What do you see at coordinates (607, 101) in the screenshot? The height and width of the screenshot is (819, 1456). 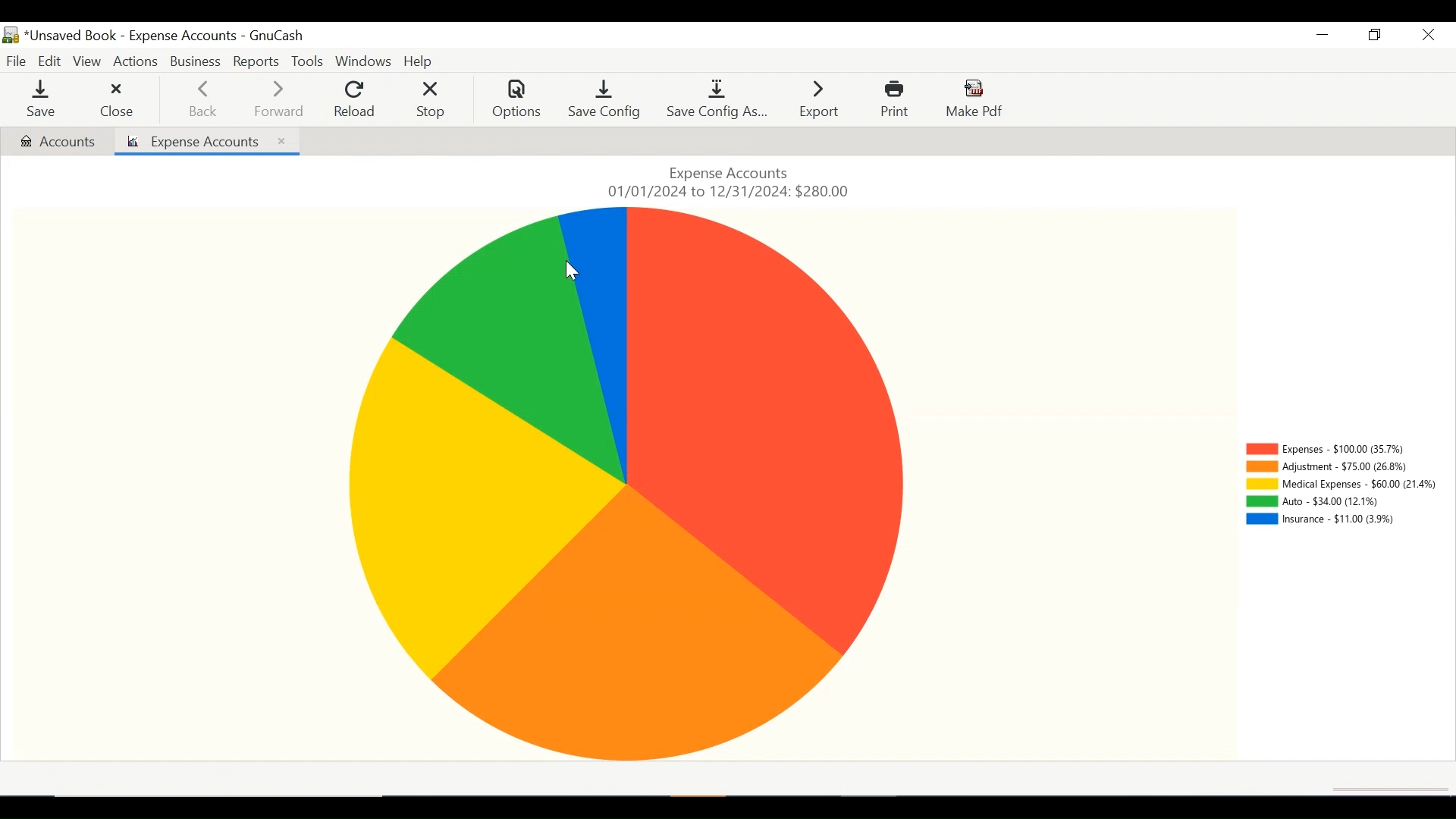 I see `Save Config` at bounding box center [607, 101].